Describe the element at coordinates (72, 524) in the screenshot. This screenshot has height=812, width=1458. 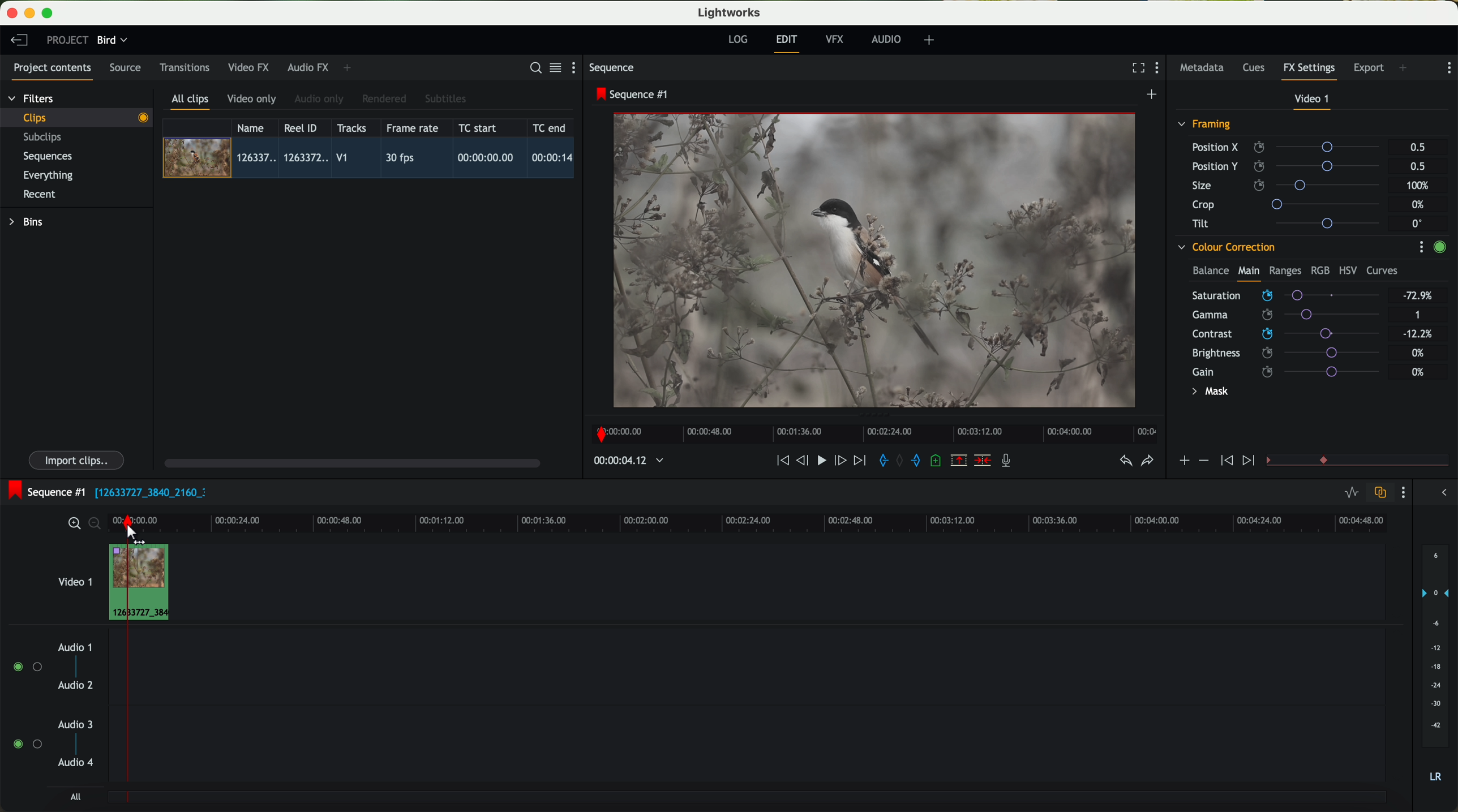
I see `zoom in` at that location.